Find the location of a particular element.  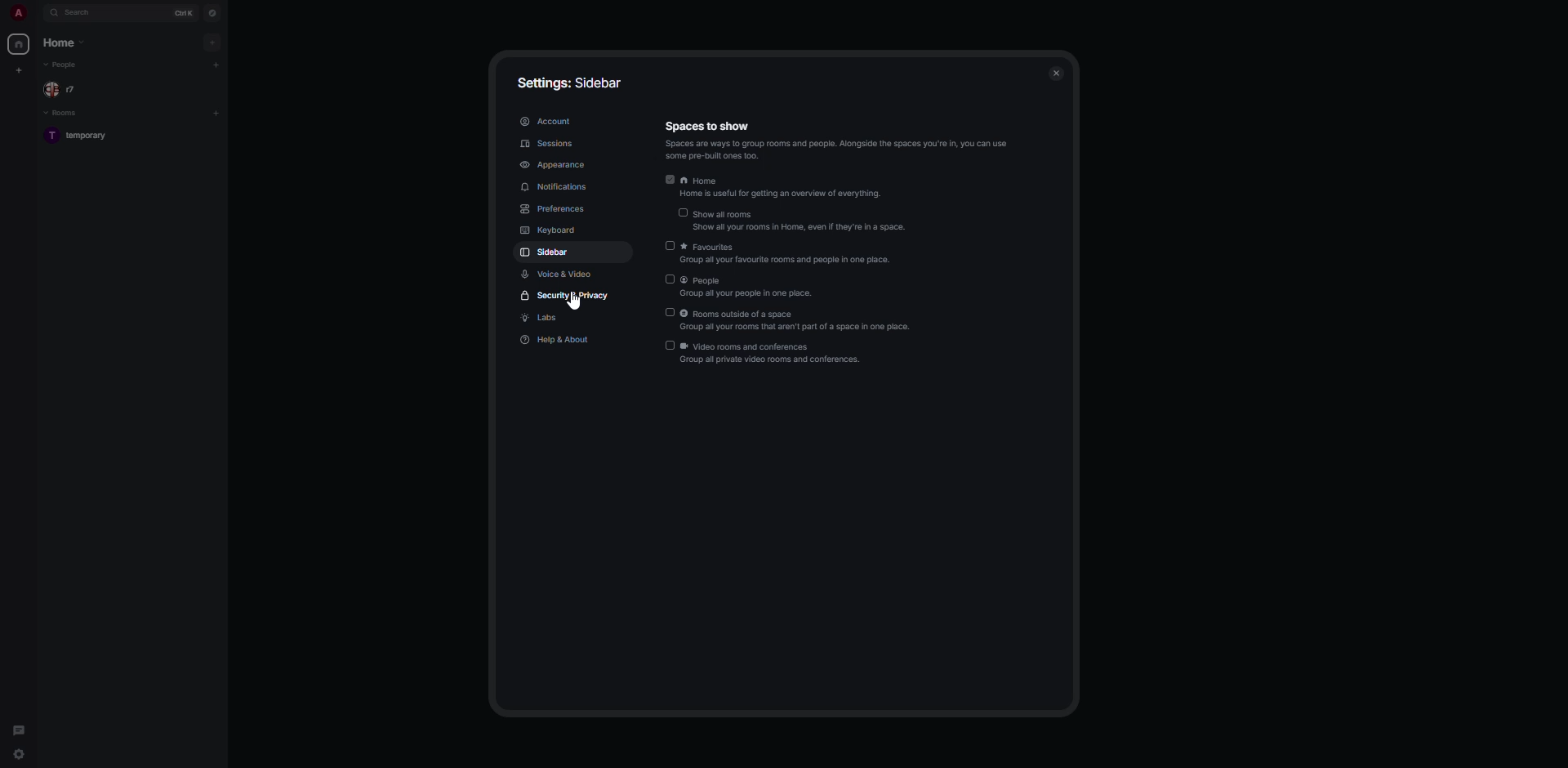

add is located at coordinates (217, 113).